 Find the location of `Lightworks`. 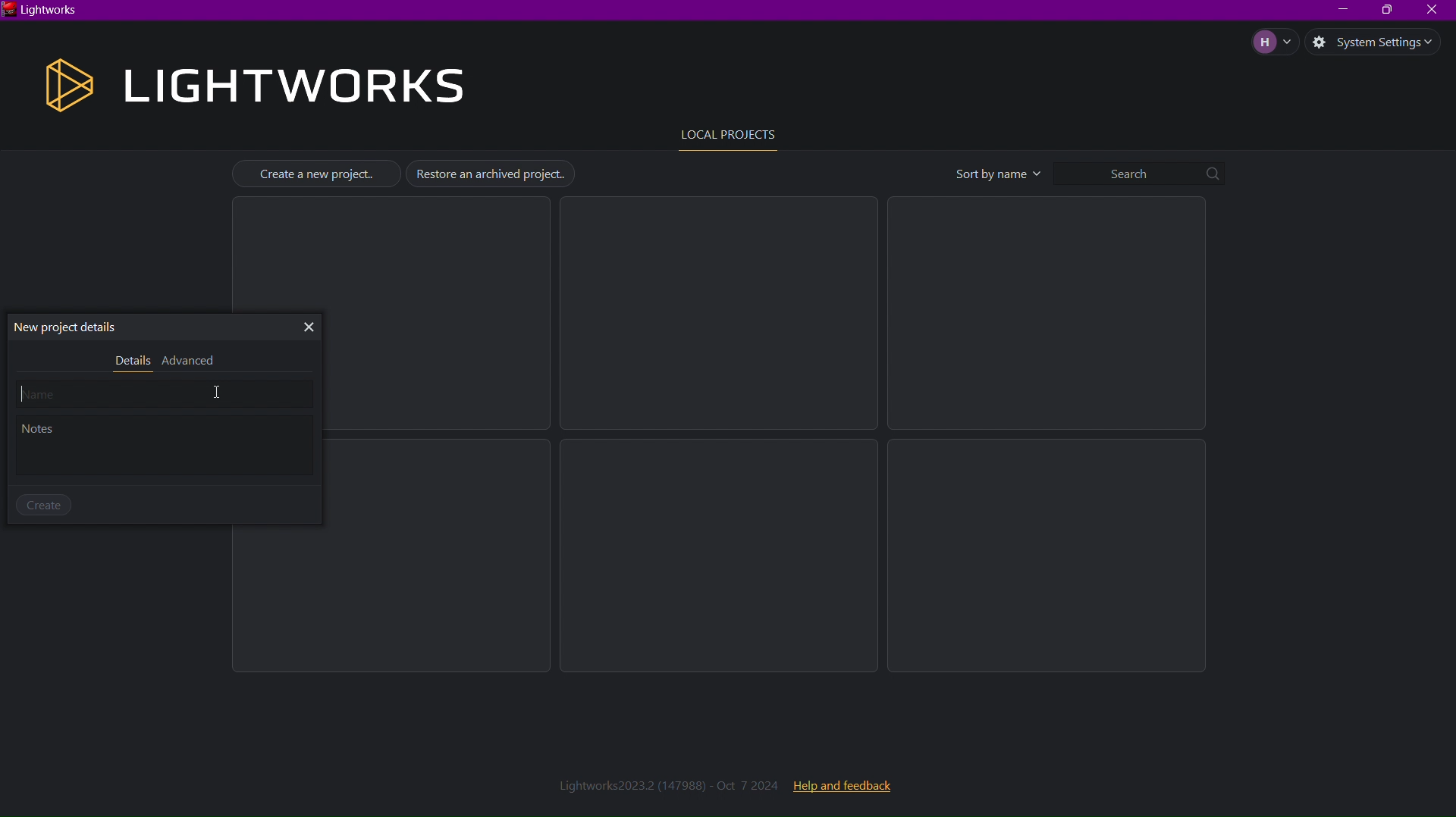

Lightworks is located at coordinates (293, 86).